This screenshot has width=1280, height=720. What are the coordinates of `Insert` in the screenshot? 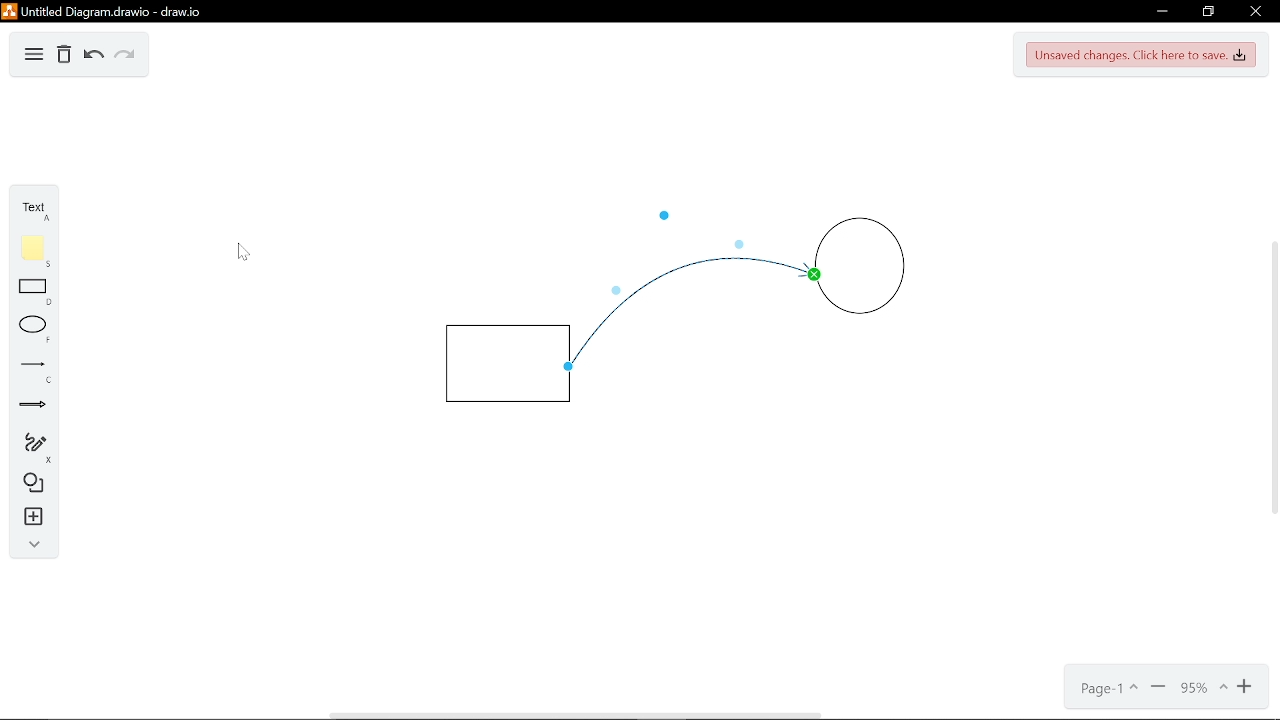 It's located at (29, 517).